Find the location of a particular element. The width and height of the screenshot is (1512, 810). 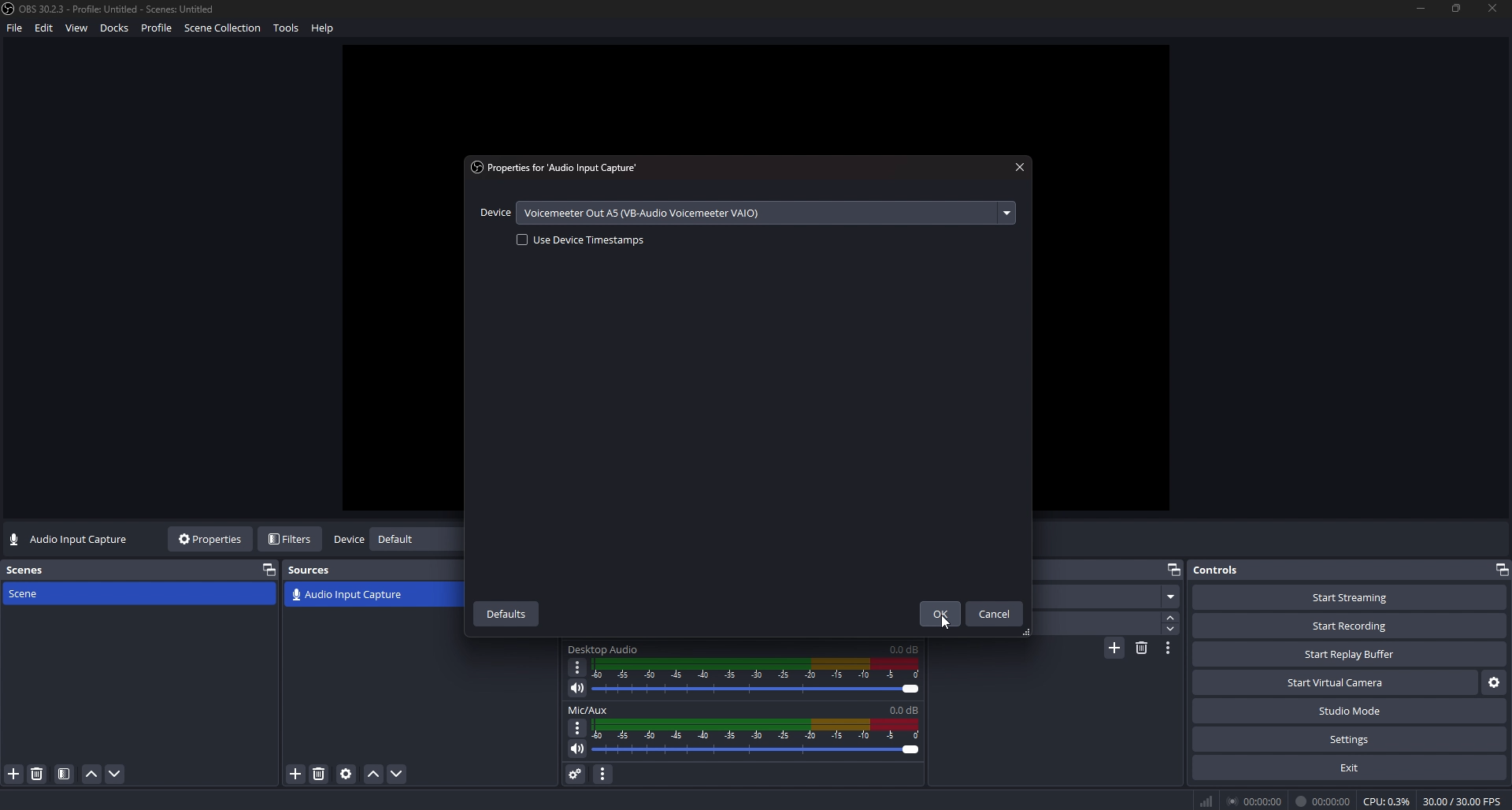

source properties is located at coordinates (346, 774).